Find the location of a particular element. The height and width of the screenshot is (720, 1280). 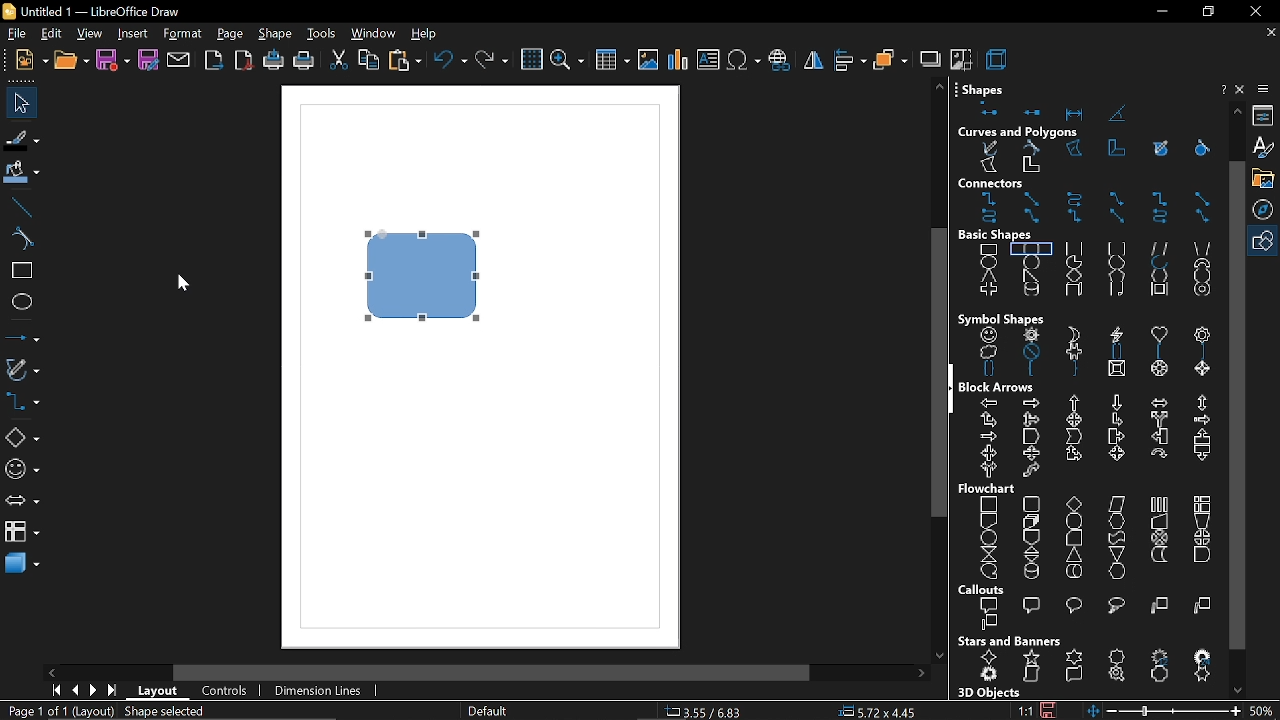

symbol shapes is located at coordinates (22, 470).